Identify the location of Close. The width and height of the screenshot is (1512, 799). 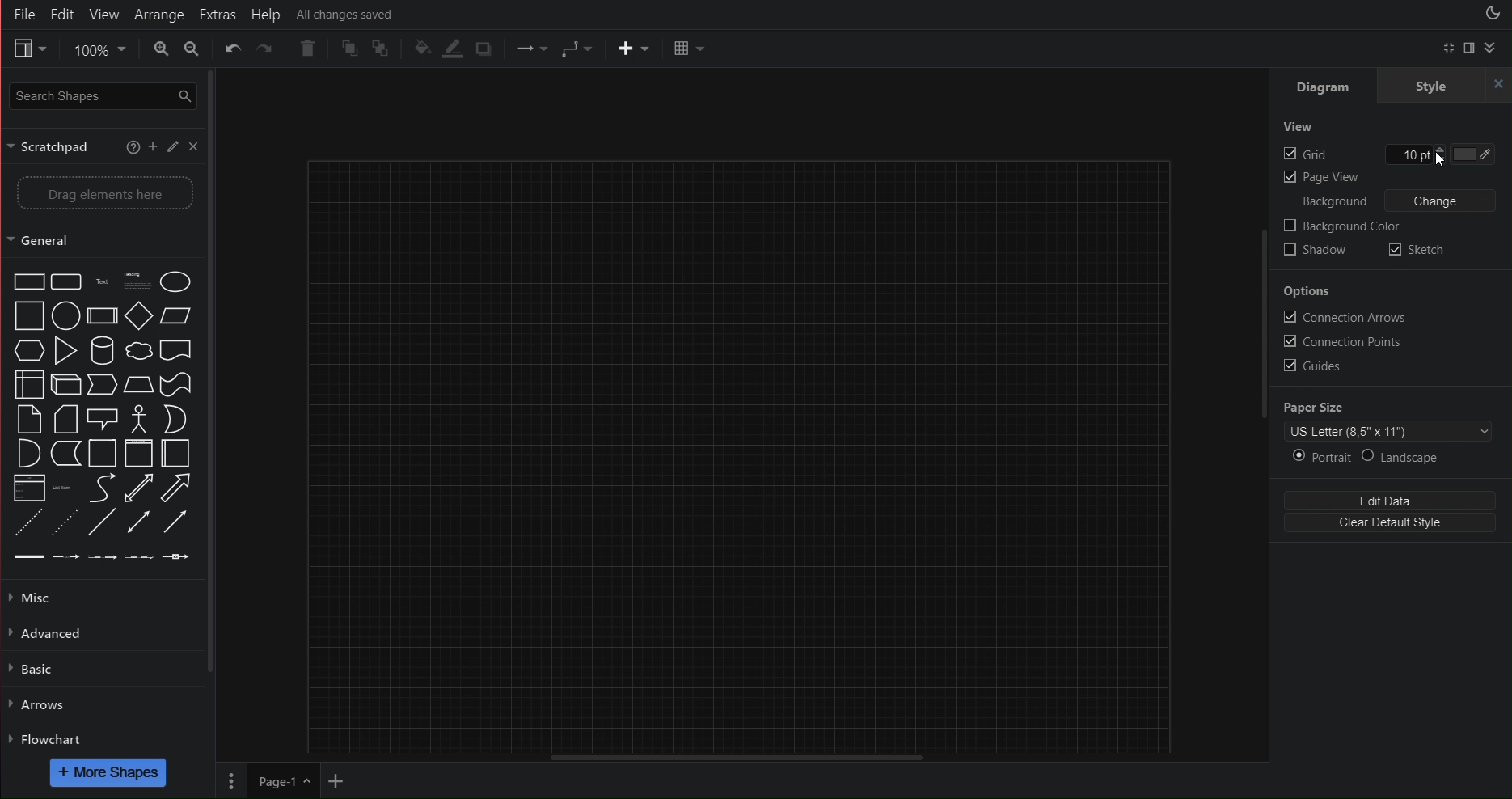
(193, 149).